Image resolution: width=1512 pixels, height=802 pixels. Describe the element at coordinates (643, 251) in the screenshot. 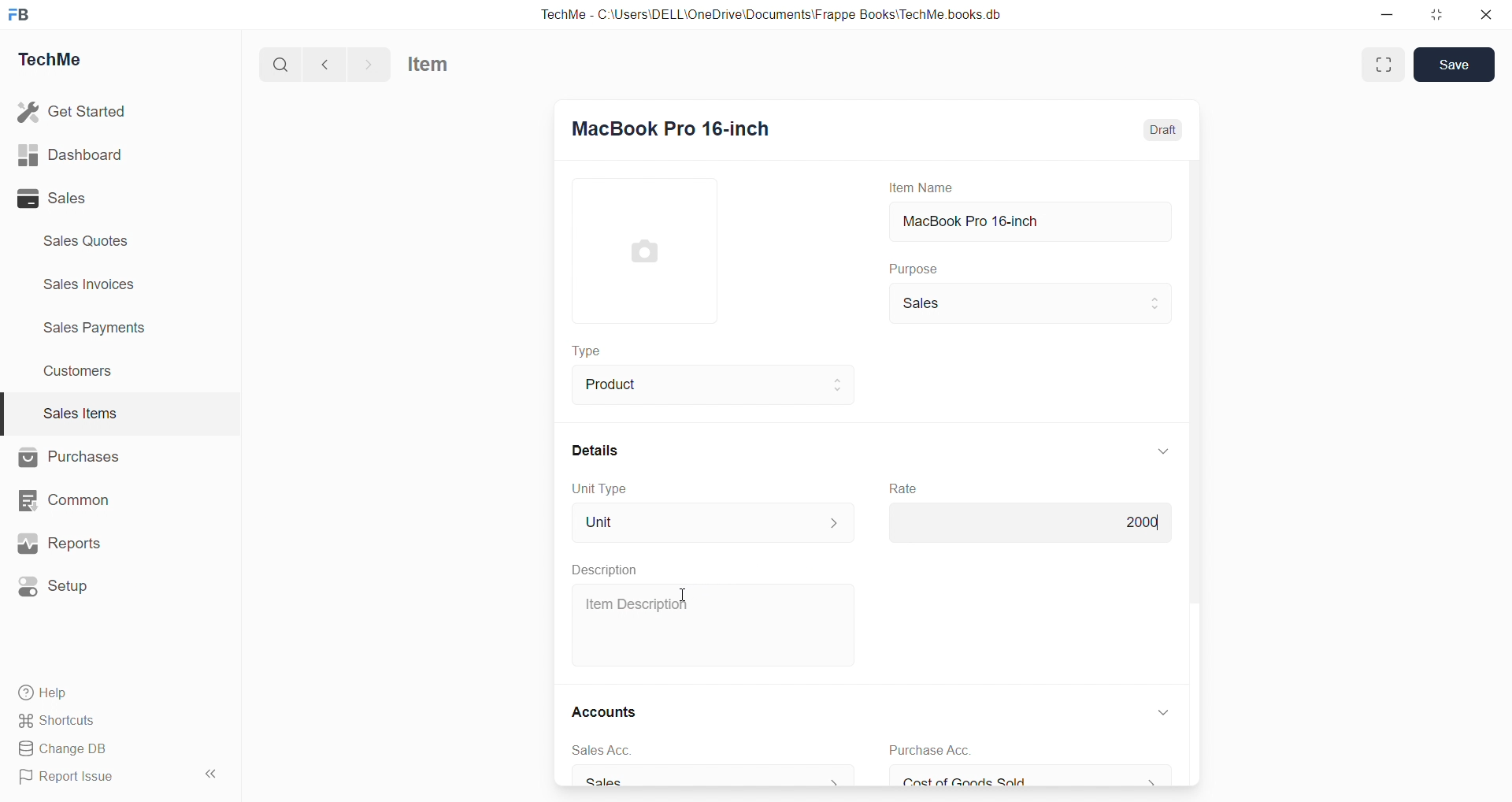

I see `image` at that location.